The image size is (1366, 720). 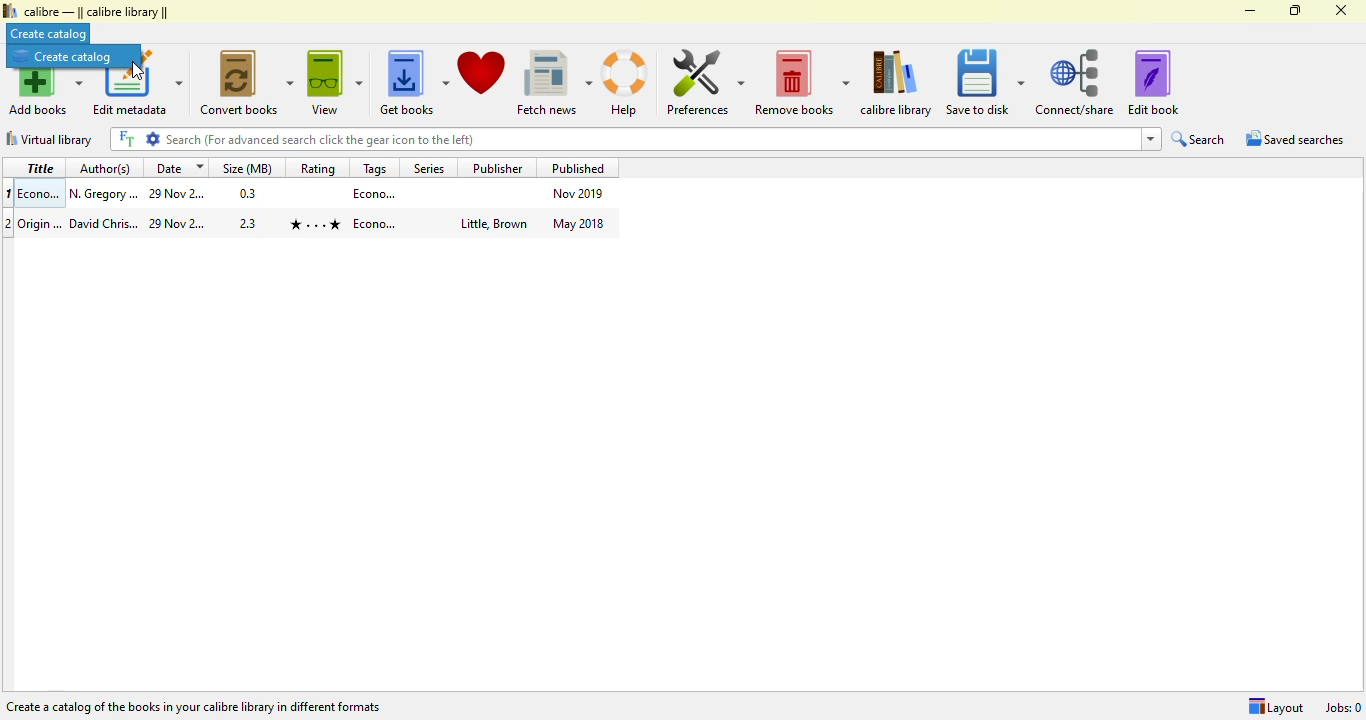 I want to click on book 2, so click(x=314, y=223).